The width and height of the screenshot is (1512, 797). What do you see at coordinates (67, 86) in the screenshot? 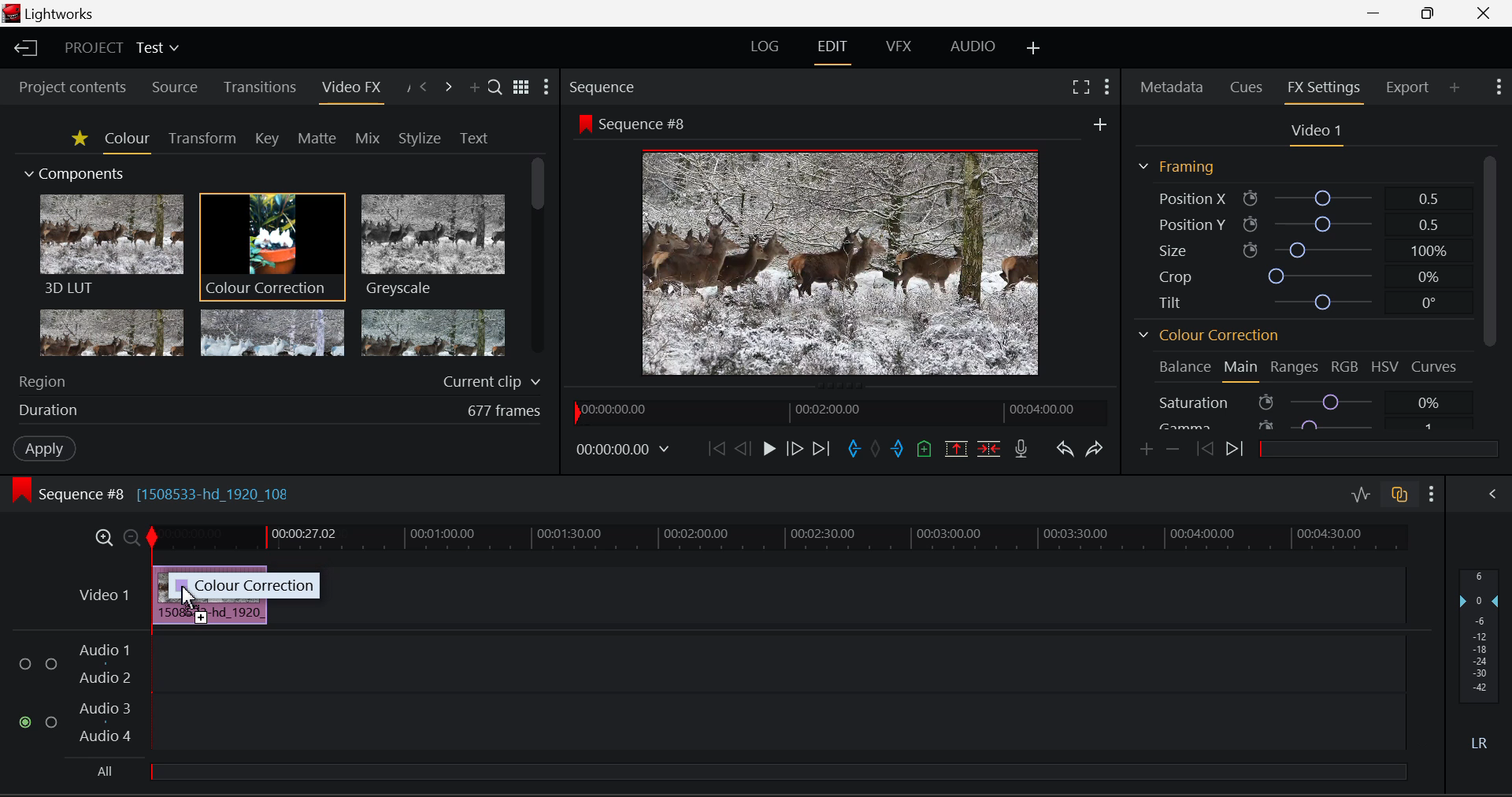
I see `Project contents` at bounding box center [67, 86].